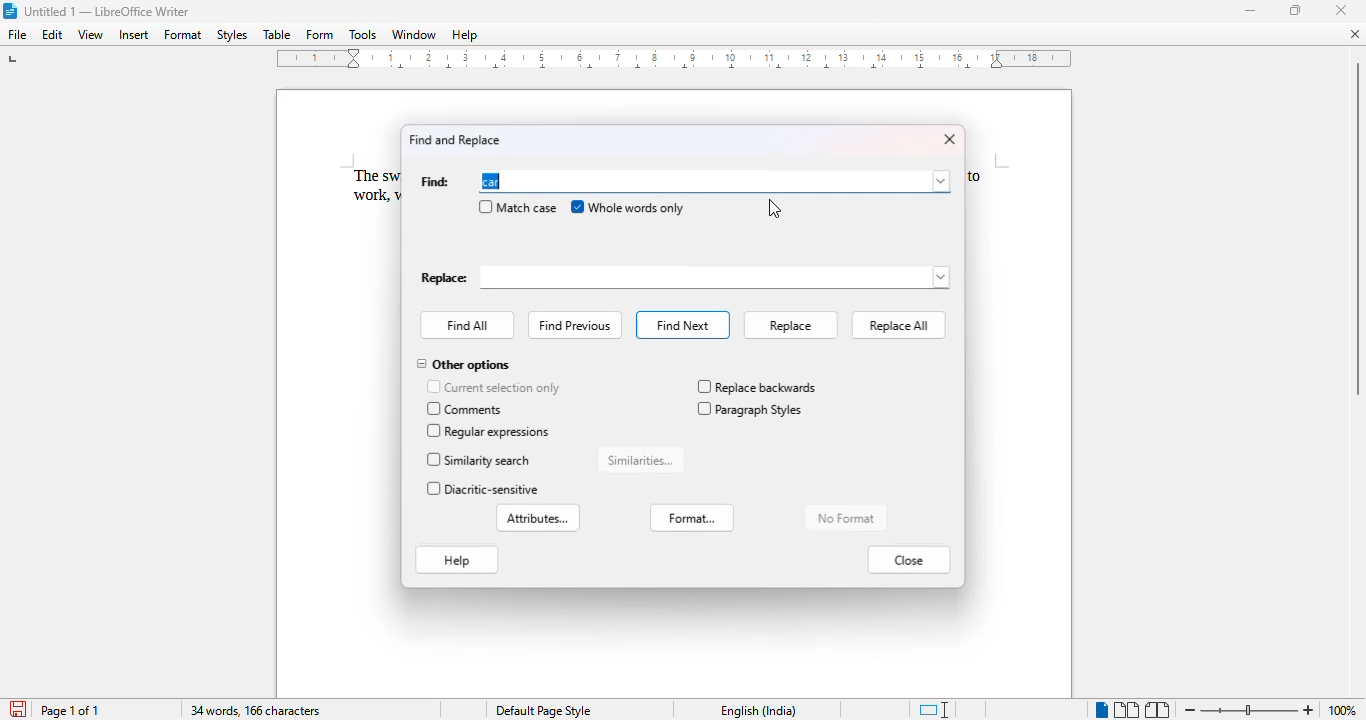 The image size is (1366, 720). Describe the element at coordinates (756, 387) in the screenshot. I see `replace backwards` at that location.